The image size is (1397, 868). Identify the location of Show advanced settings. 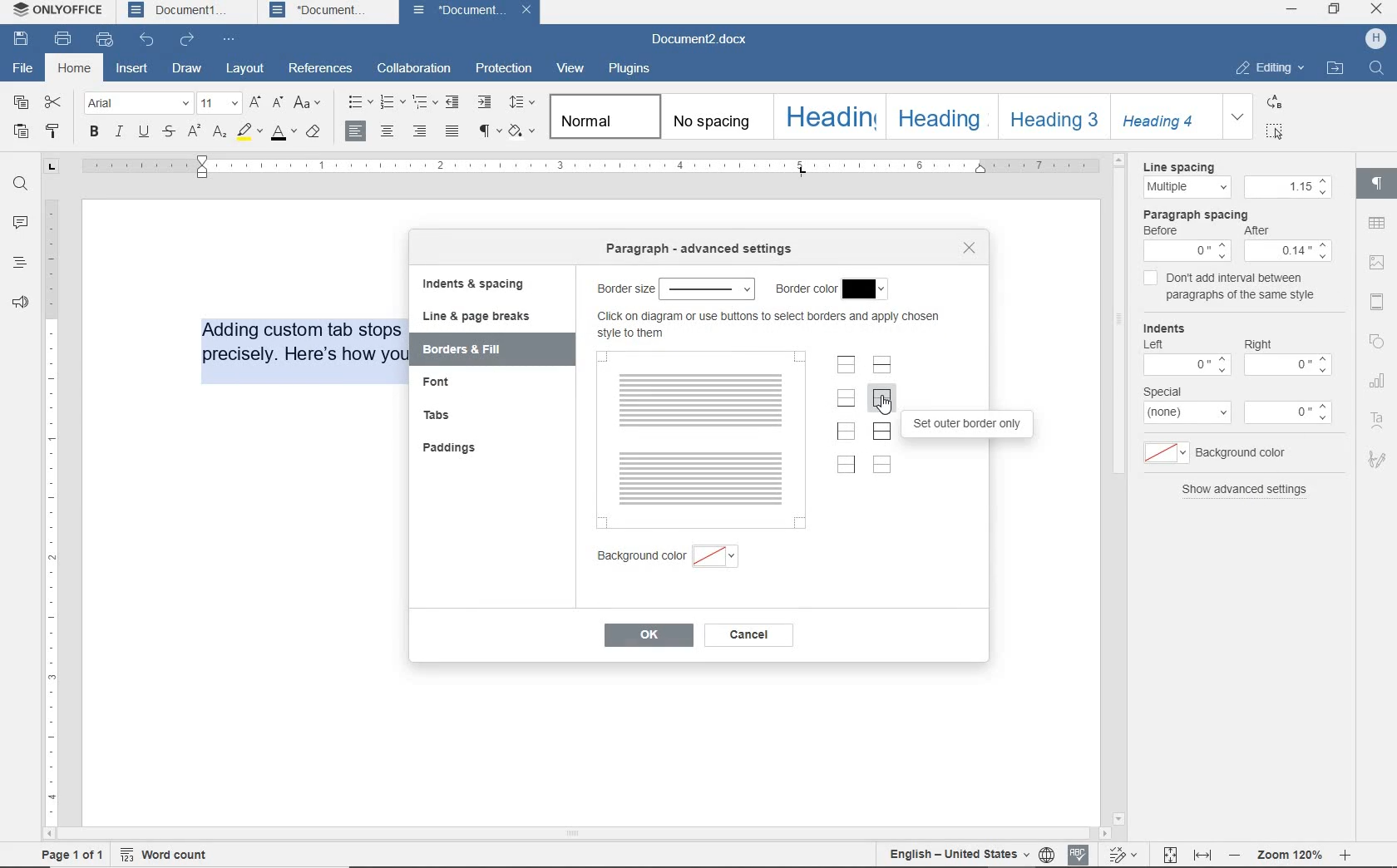
(1254, 496).